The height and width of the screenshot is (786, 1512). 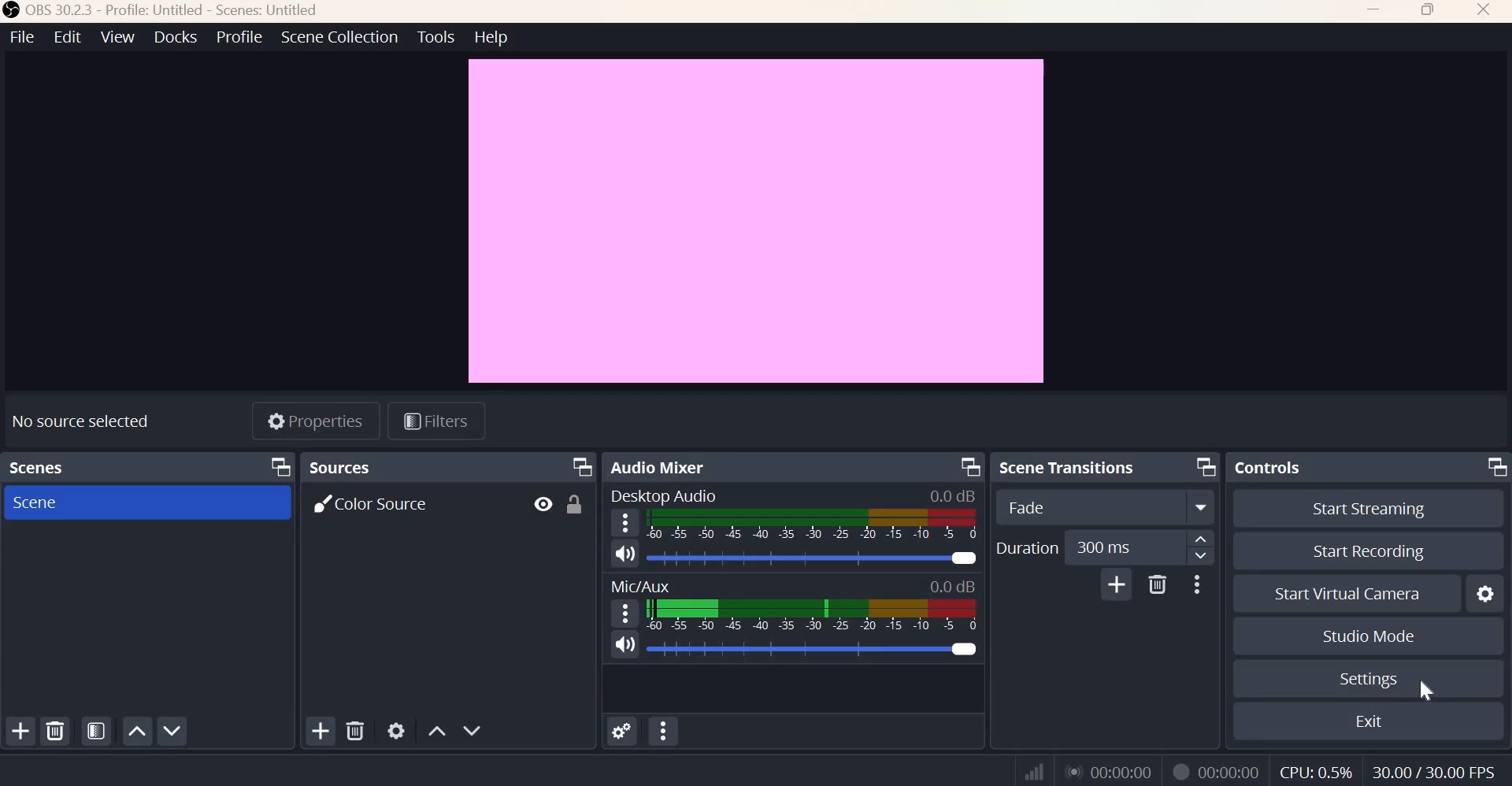 What do you see at coordinates (1376, 13) in the screenshot?
I see `Minimize` at bounding box center [1376, 13].